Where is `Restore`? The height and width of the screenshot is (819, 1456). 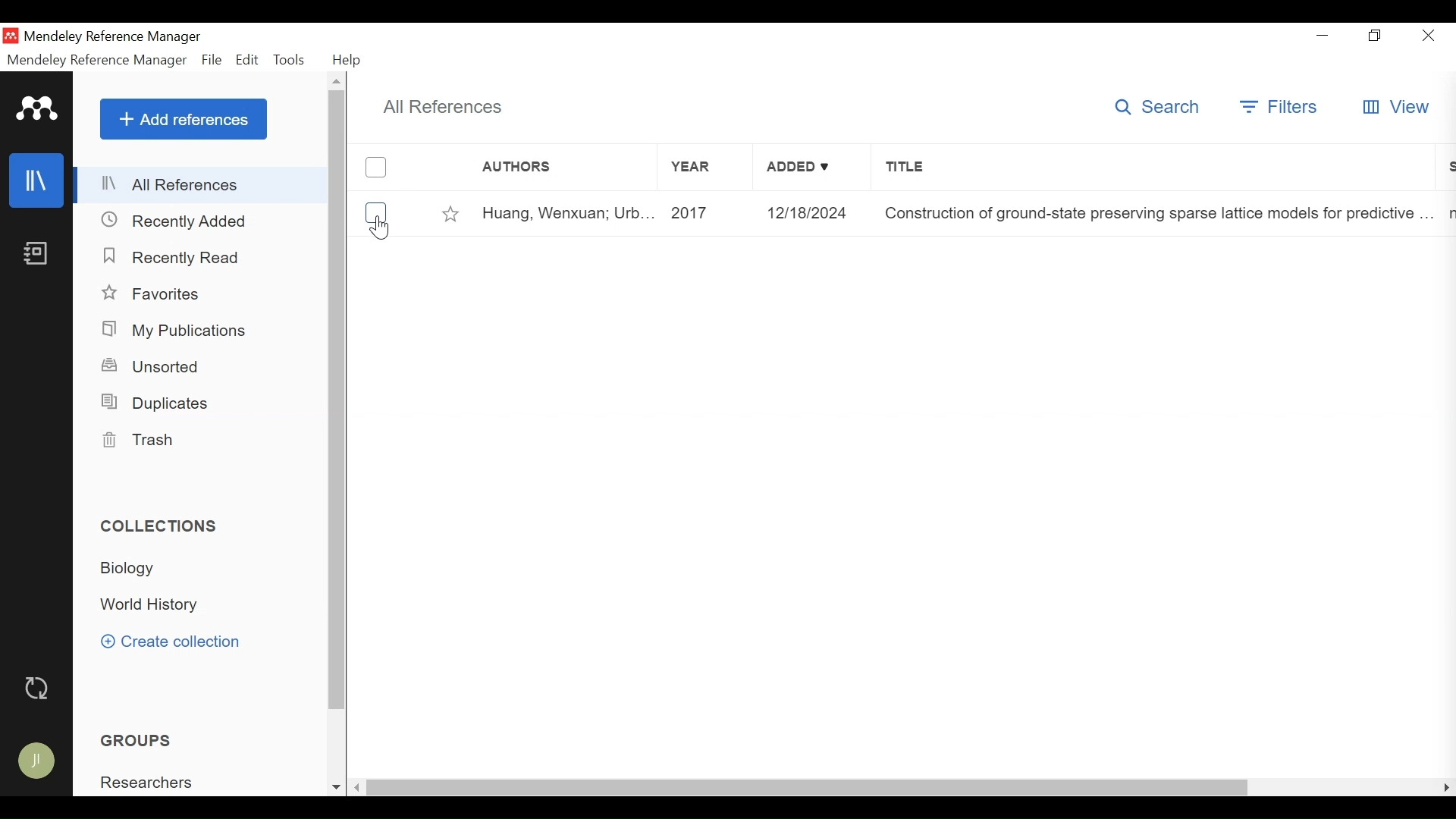
Restore is located at coordinates (1376, 34).